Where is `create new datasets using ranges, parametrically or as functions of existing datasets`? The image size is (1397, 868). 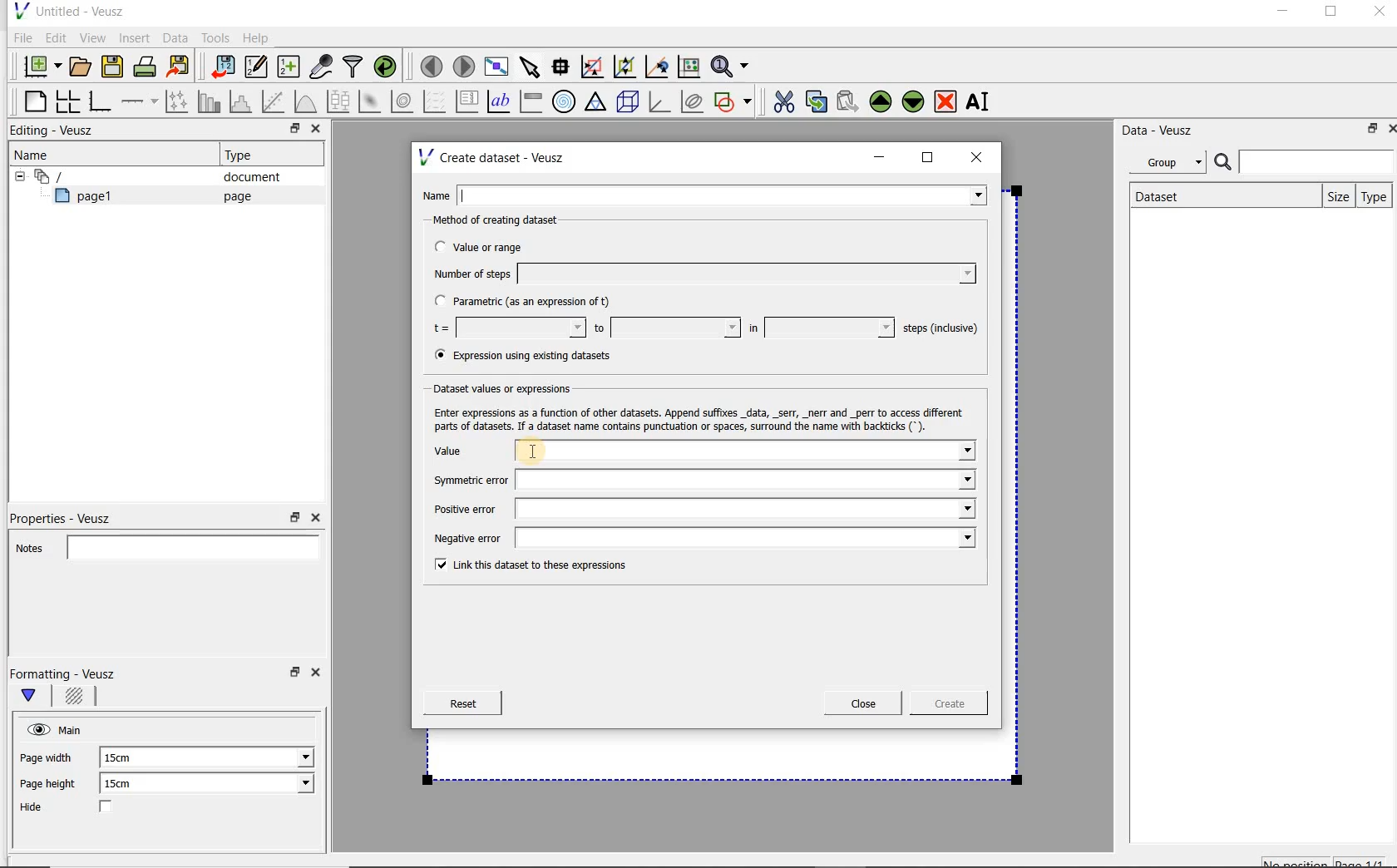 create new datasets using ranges, parametrically or as functions of existing datasets is located at coordinates (289, 67).